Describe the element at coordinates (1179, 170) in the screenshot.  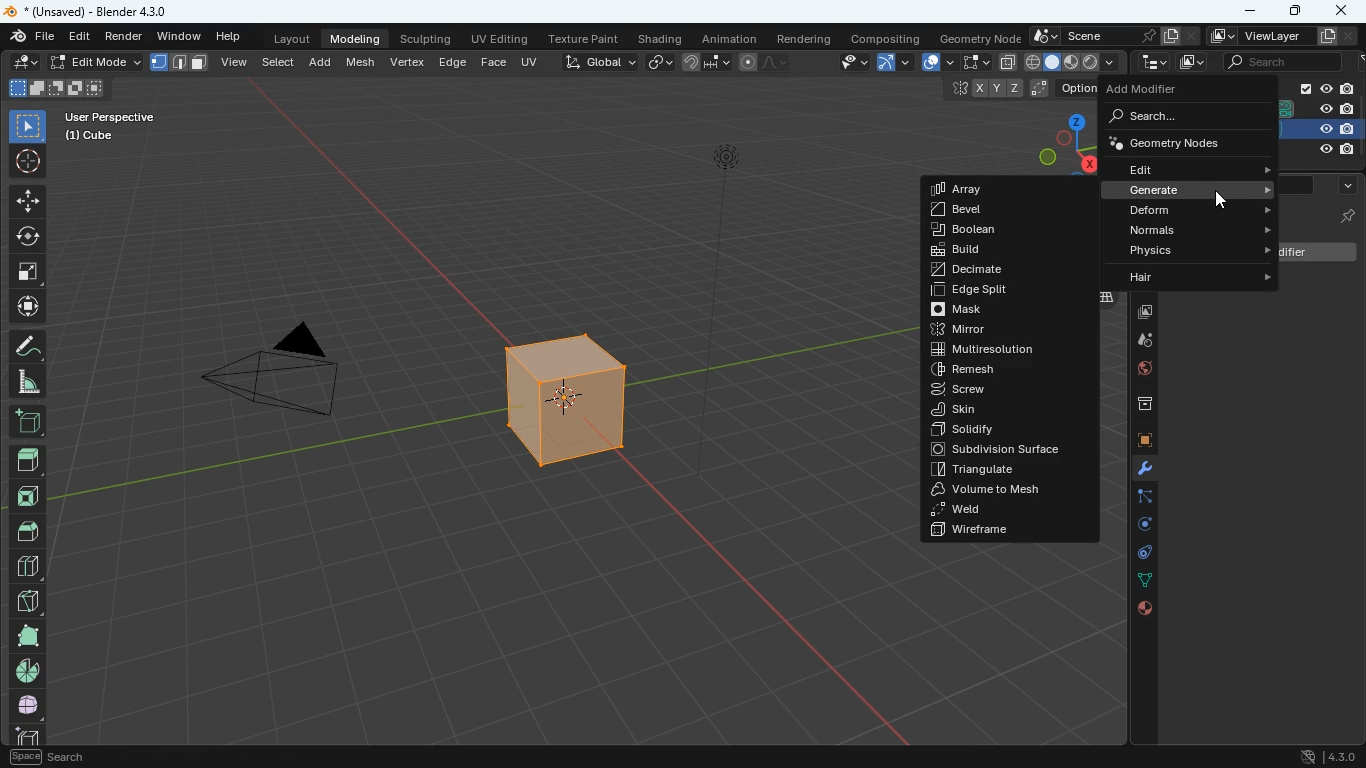
I see `edit` at that location.